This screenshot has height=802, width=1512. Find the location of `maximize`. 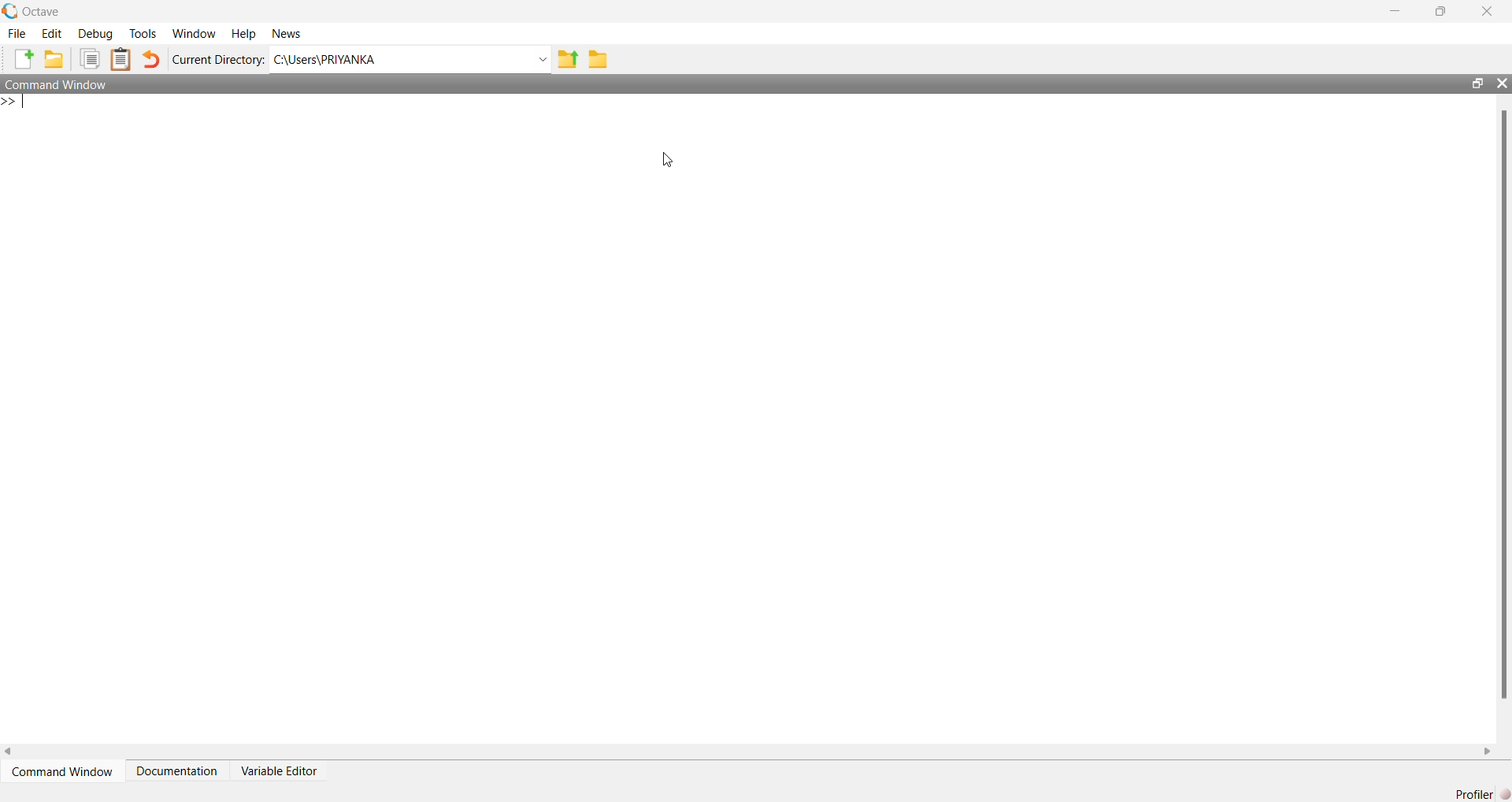

maximize is located at coordinates (1477, 83).